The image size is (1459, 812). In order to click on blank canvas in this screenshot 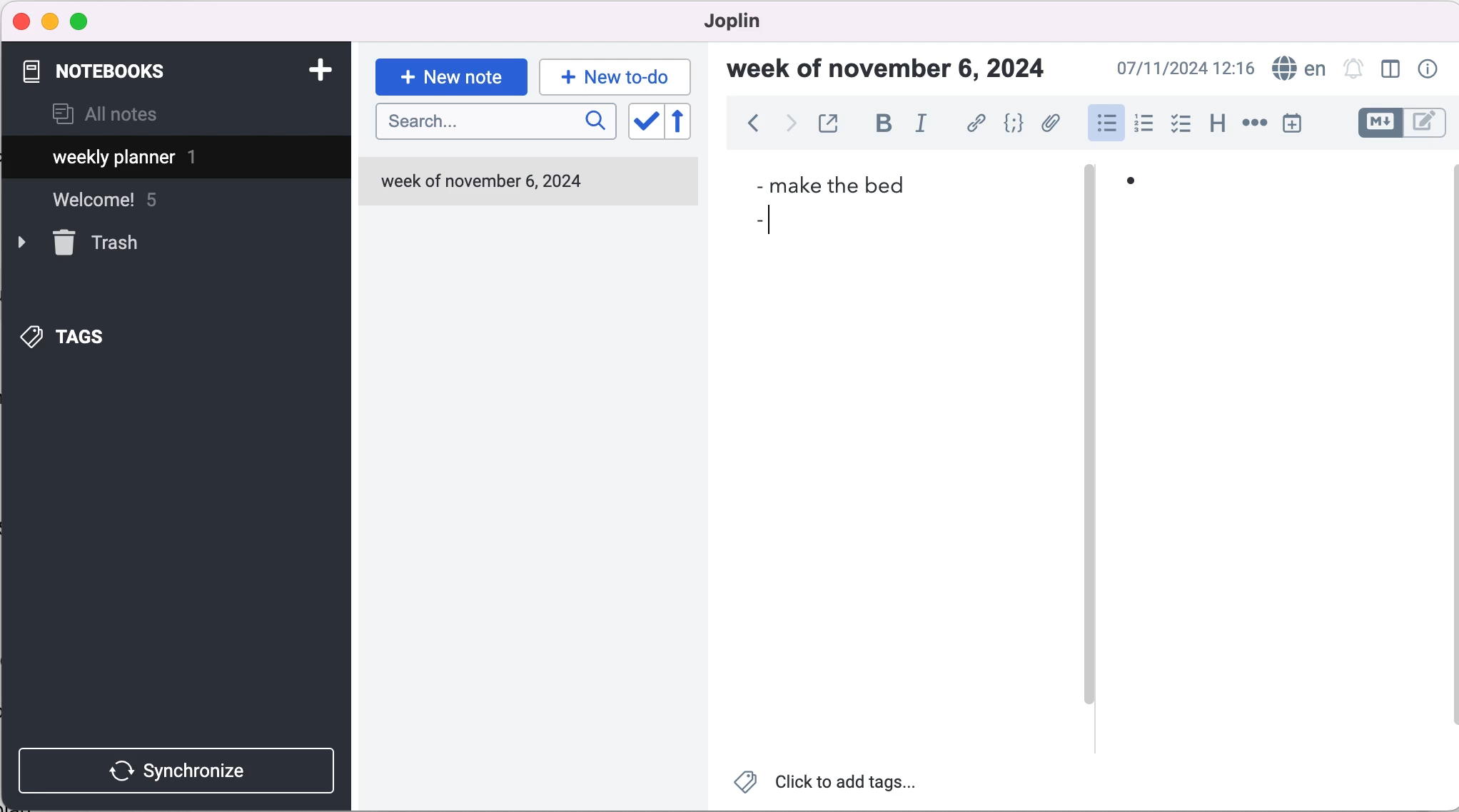, I will do `click(1281, 484)`.